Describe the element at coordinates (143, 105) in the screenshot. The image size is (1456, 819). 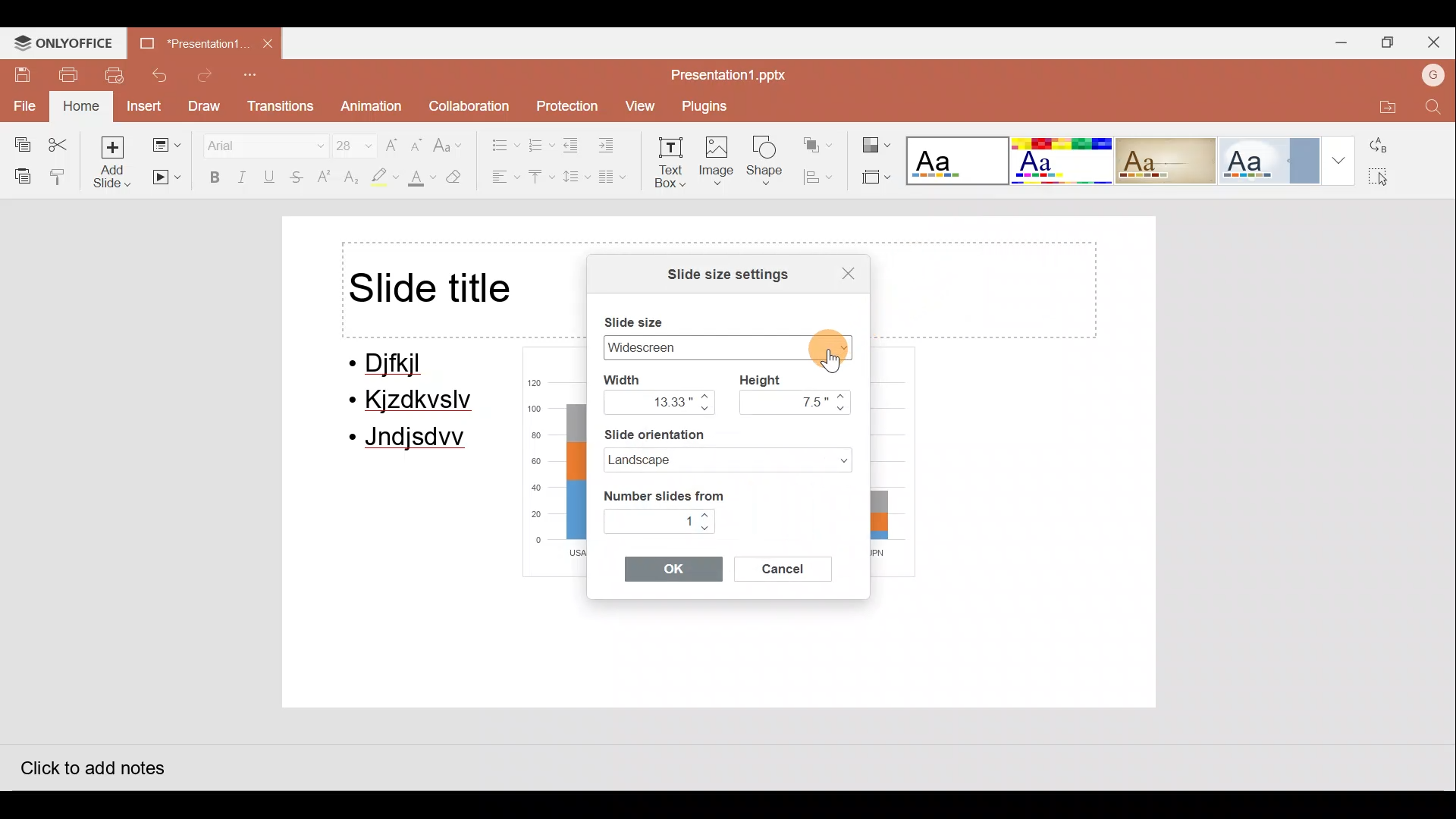
I see `Insert` at that location.